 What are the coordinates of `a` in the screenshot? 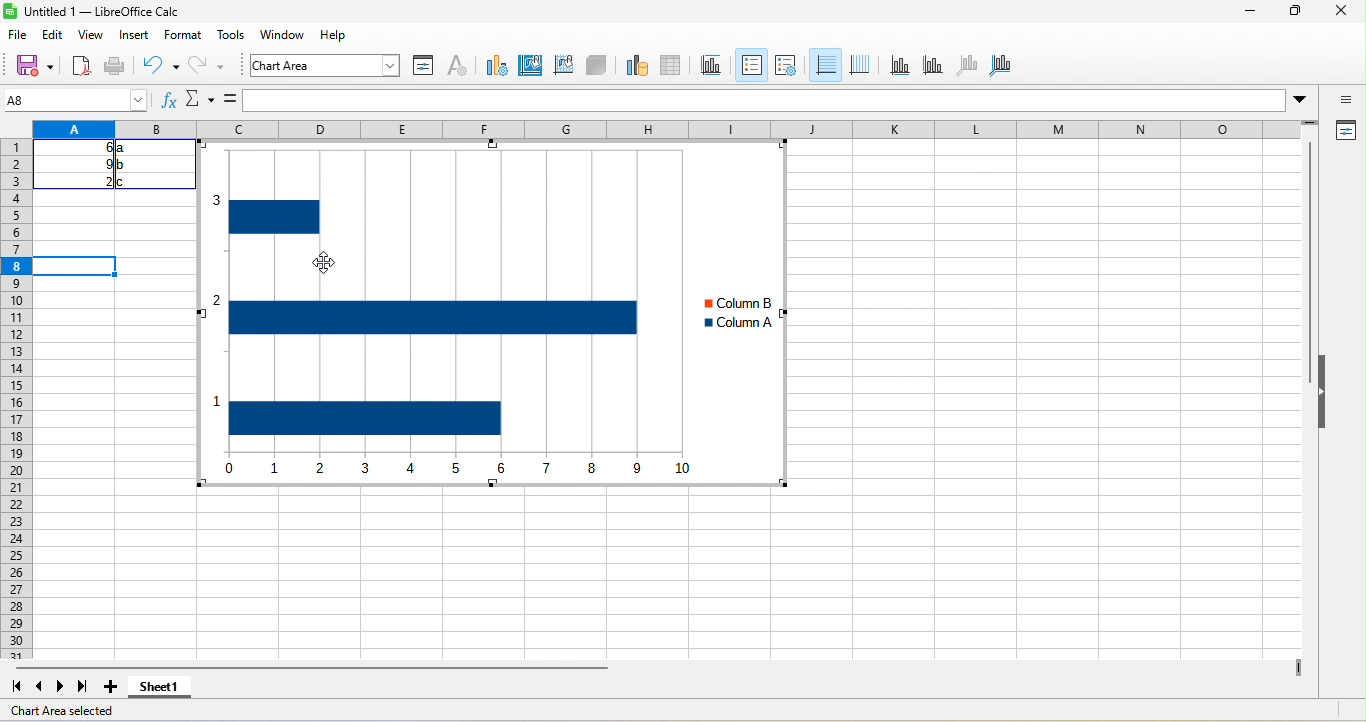 It's located at (123, 150).